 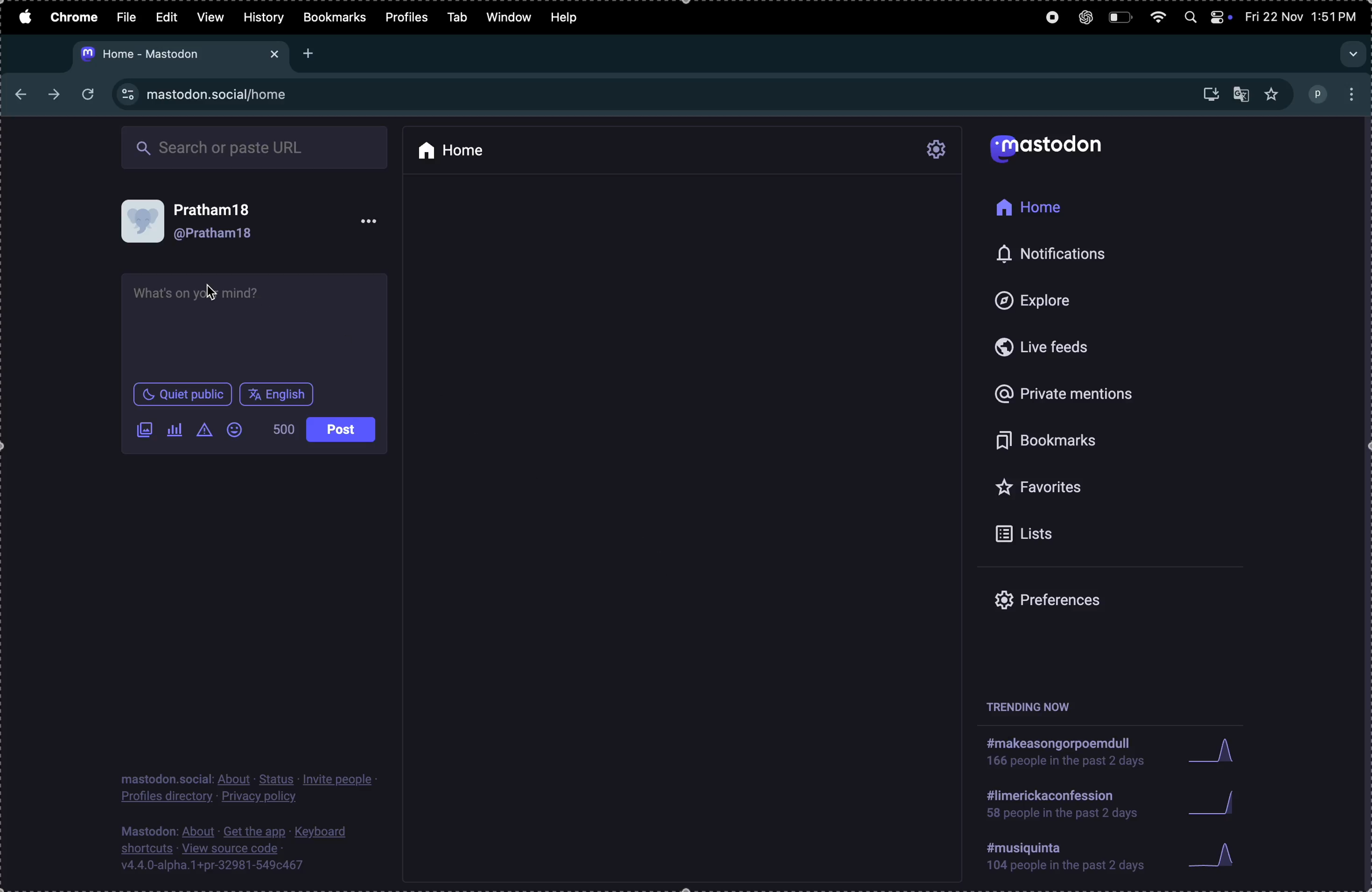 What do you see at coordinates (1047, 210) in the screenshot?
I see `home` at bounding box center [1047, 210].